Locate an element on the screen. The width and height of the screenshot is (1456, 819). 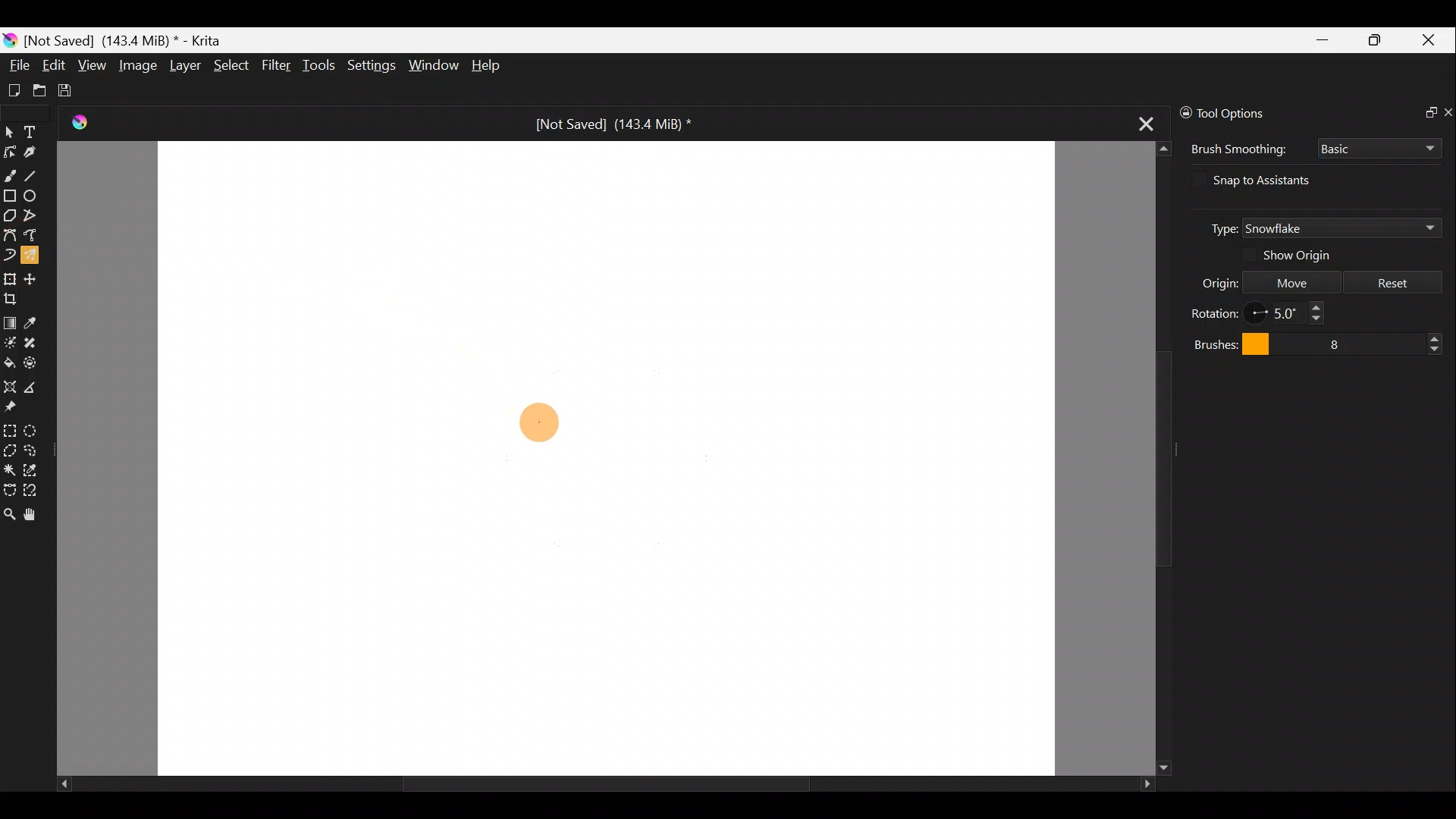
Select shapes tool is located at coordinates (10, 131).